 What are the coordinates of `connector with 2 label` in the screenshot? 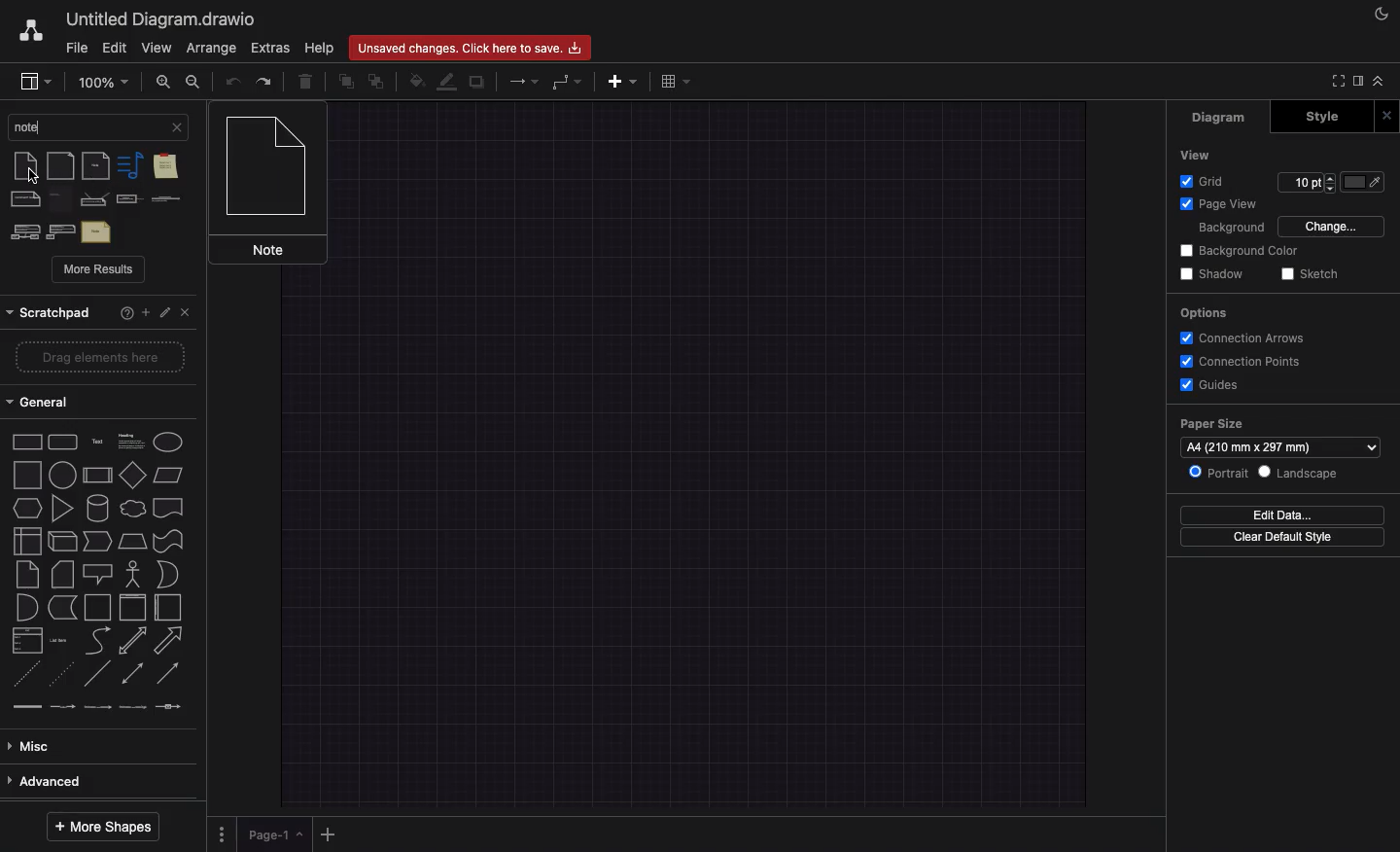 It's located at (100, 713).